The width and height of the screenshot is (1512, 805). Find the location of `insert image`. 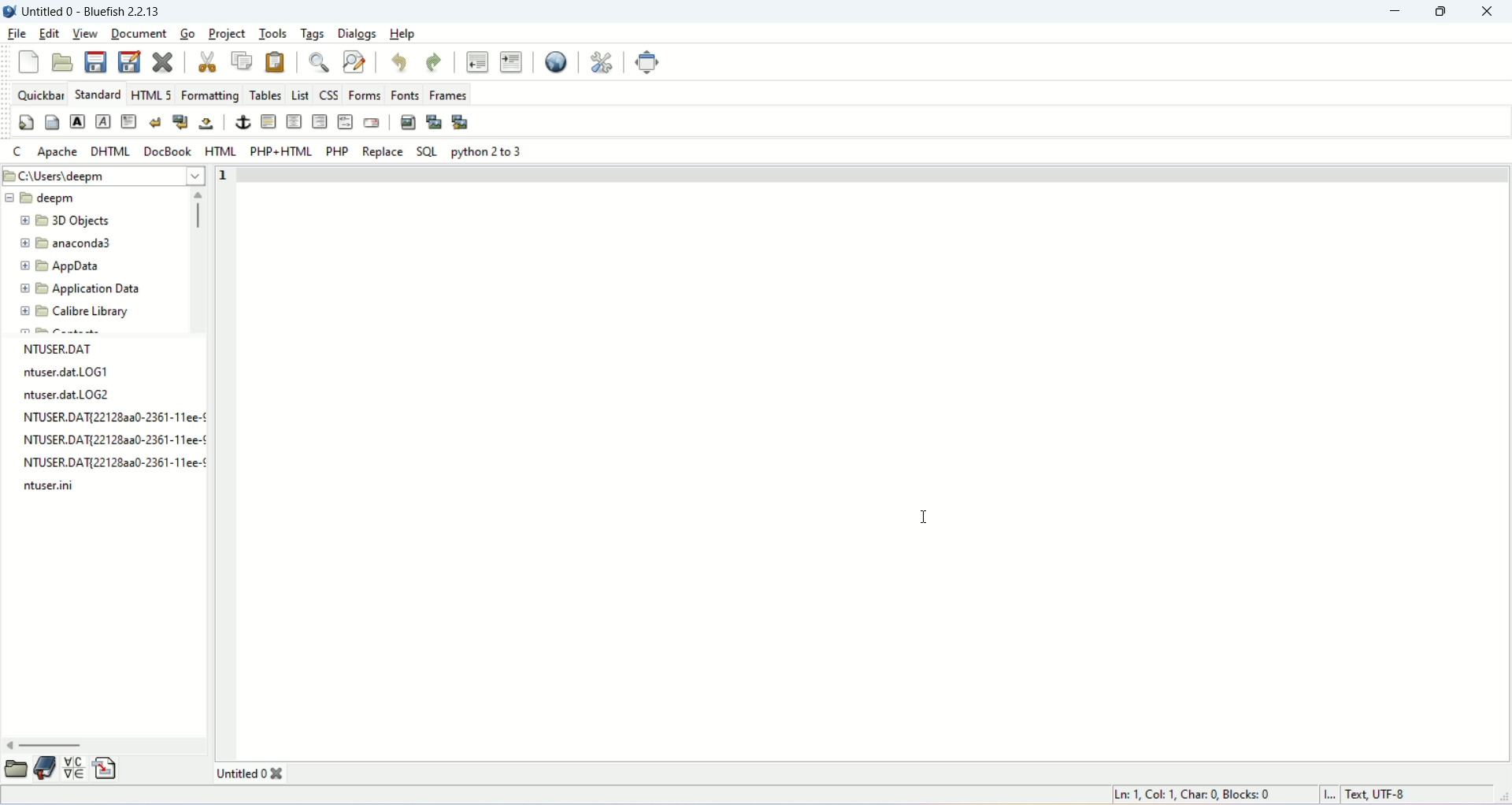

insert image is located at coordinates (407, 121).